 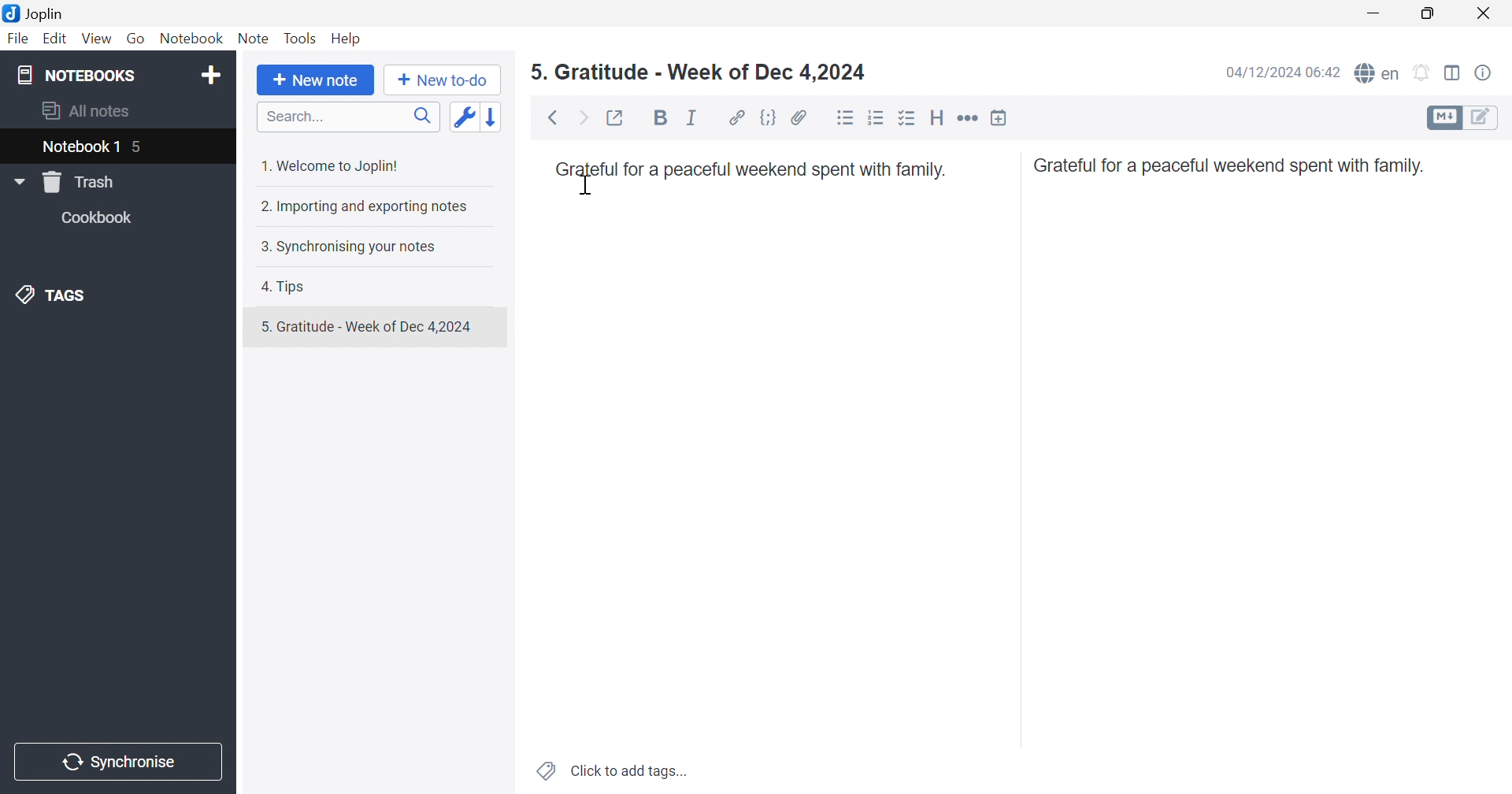 What do you see at coordinates (117, 762) in the screenshot?
I see `Synchronise` at bounding box center [117, 762].